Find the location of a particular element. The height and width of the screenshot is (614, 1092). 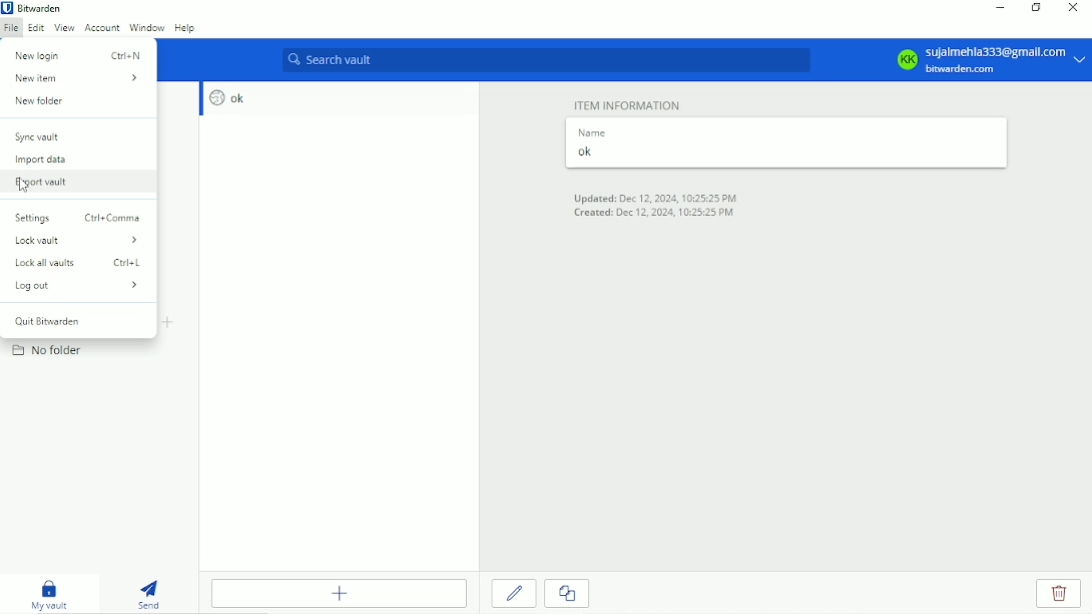

Settings is located at coordinates (78, 217).